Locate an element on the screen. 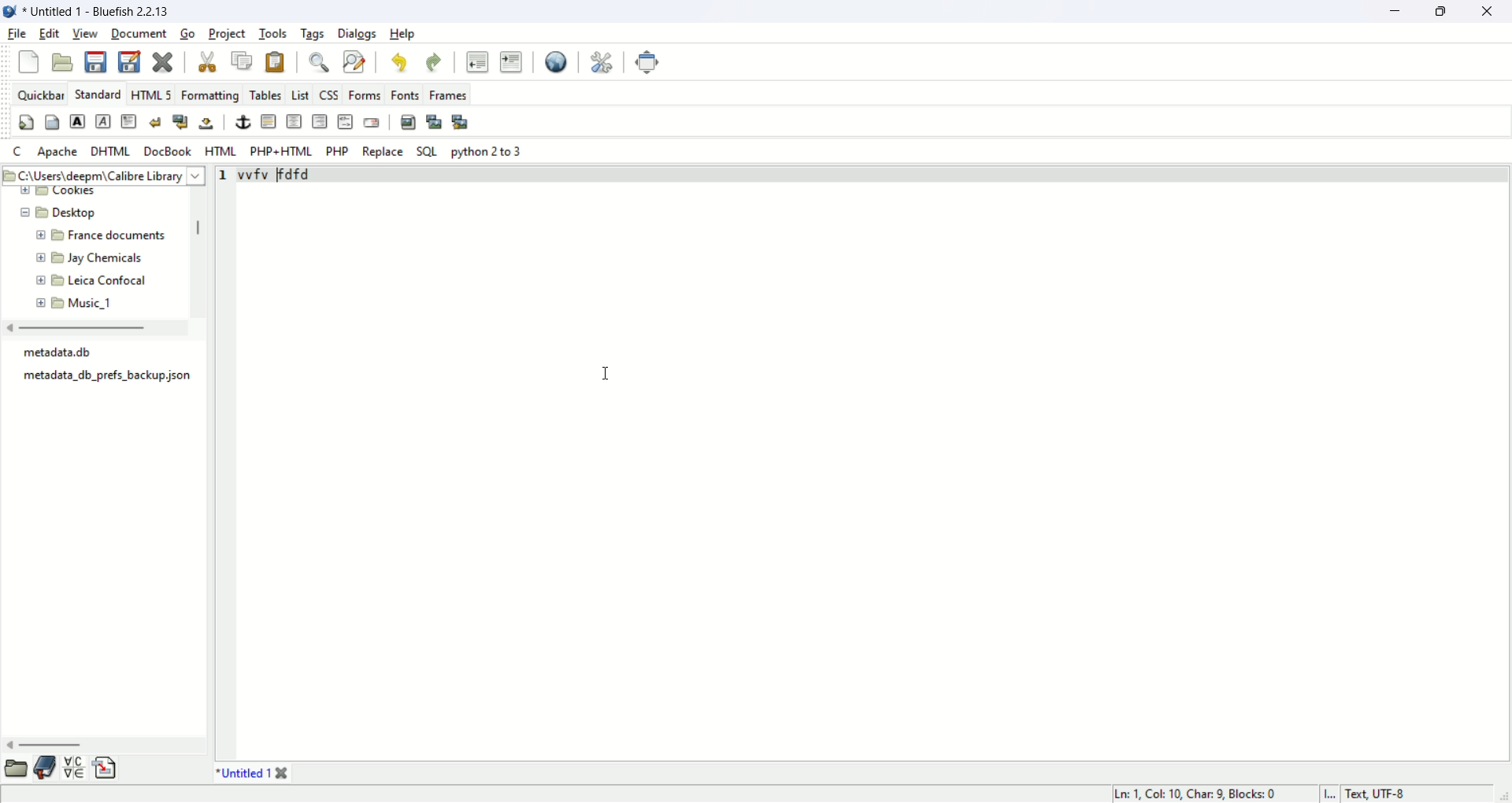  body is located at coordinates (130, 122).